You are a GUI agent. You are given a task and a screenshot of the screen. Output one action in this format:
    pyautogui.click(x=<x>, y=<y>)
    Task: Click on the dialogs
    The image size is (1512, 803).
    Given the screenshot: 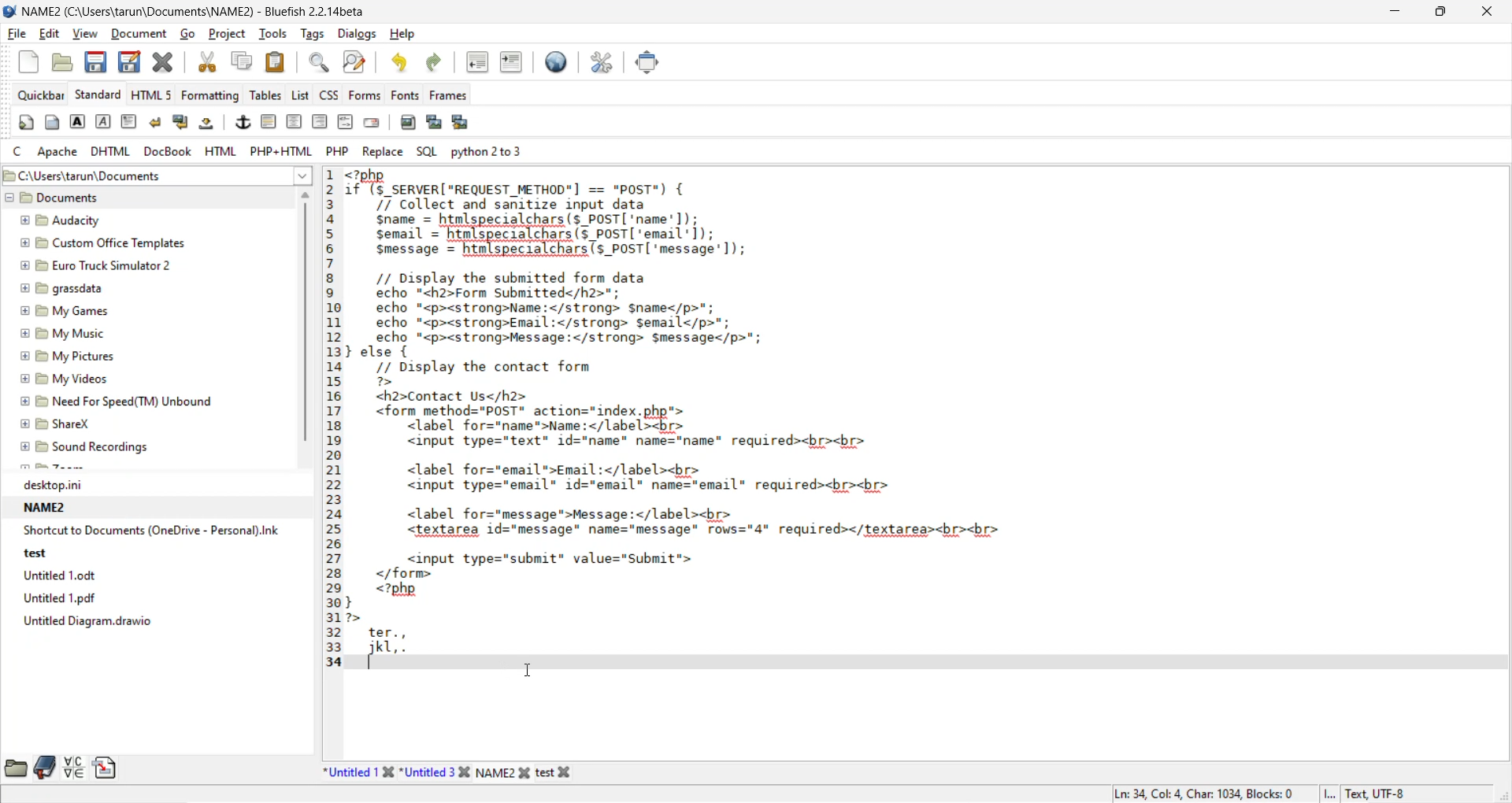 What is the action you would take?
    pyautogui.click(x=358, y=34)
    